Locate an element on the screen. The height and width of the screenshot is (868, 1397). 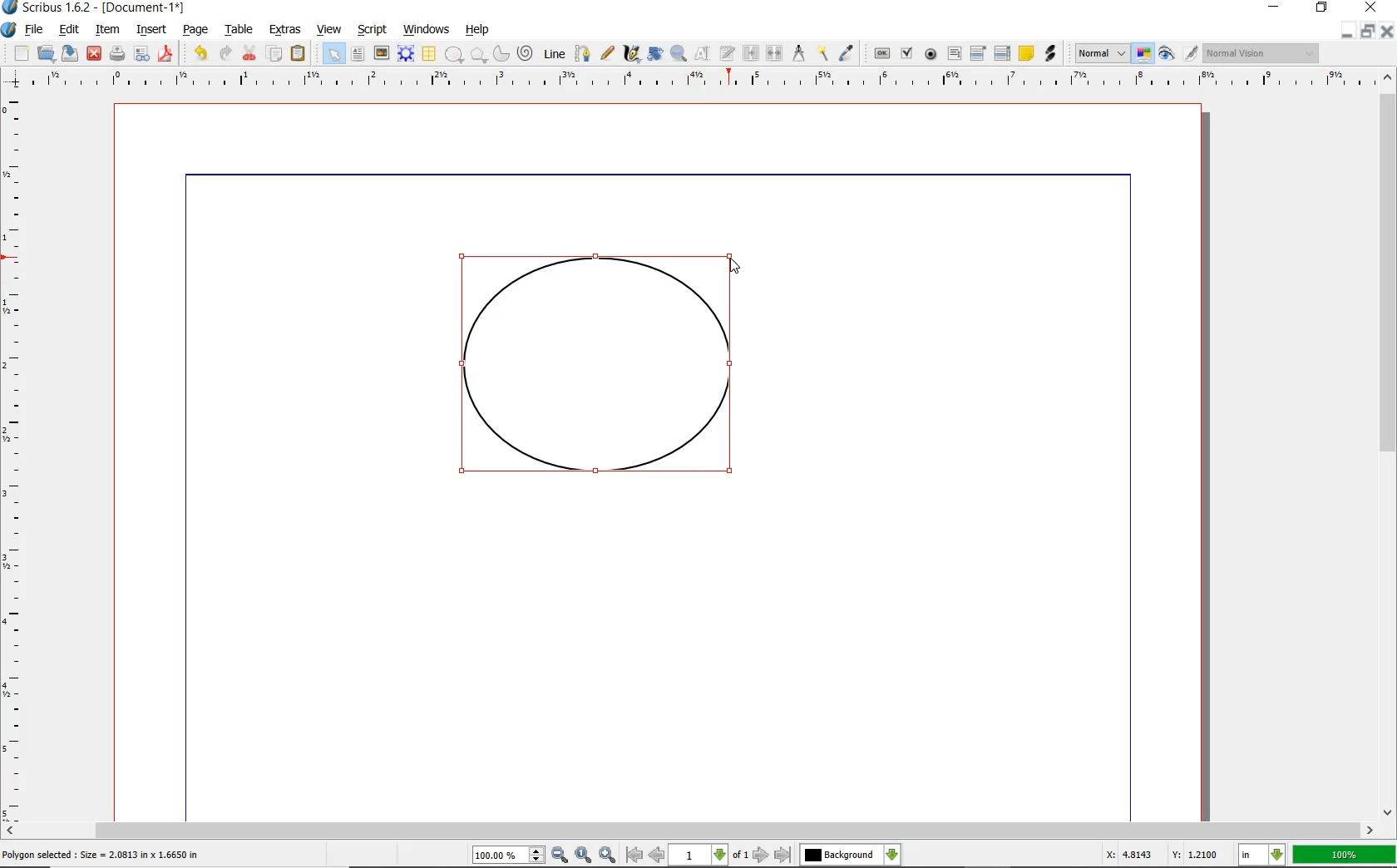
COPY ITEM PROPERTIES is located at coordinates (822, 52).